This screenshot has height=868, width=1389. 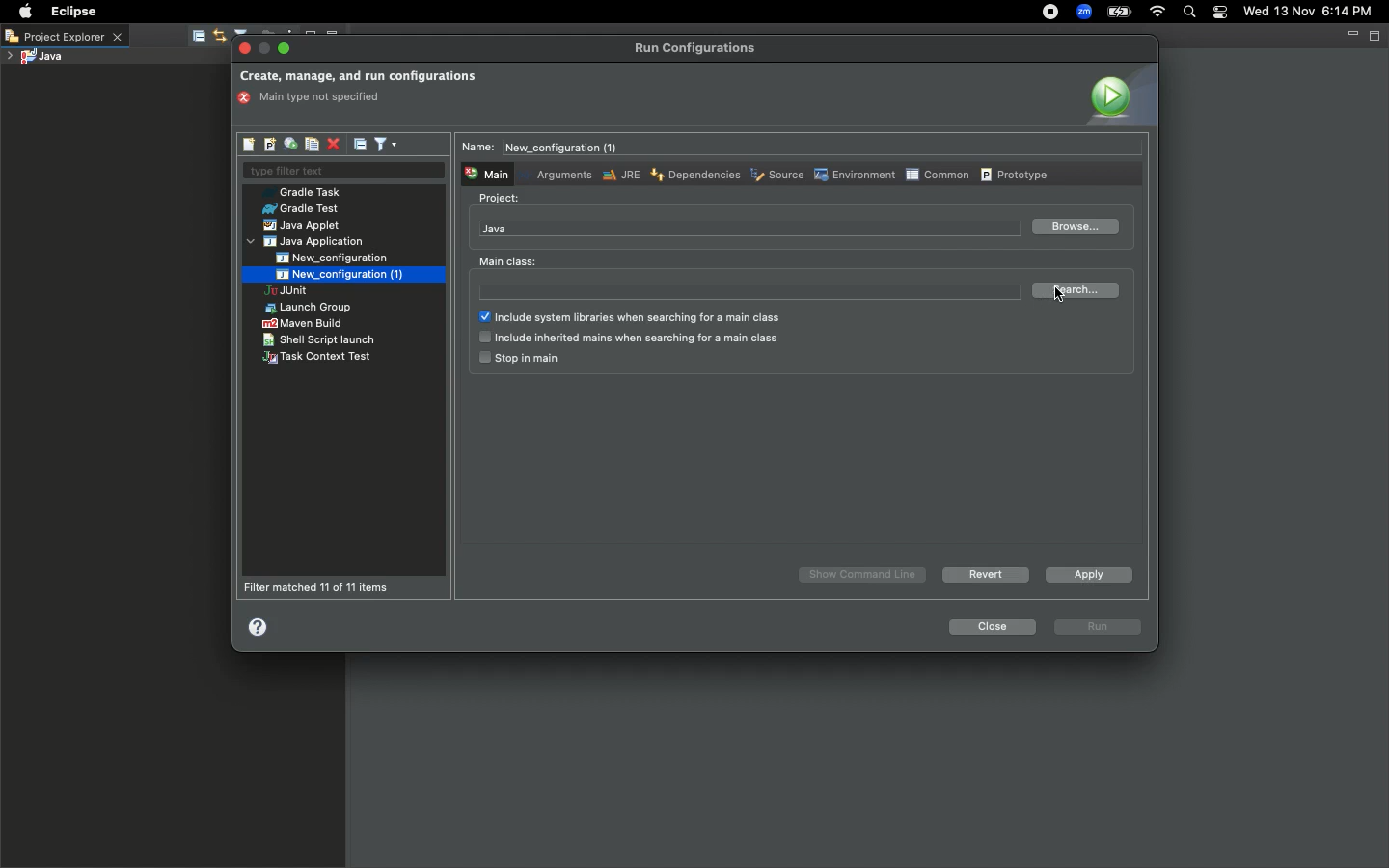 I want to click on Apple logo, so click(x=23, y=12).